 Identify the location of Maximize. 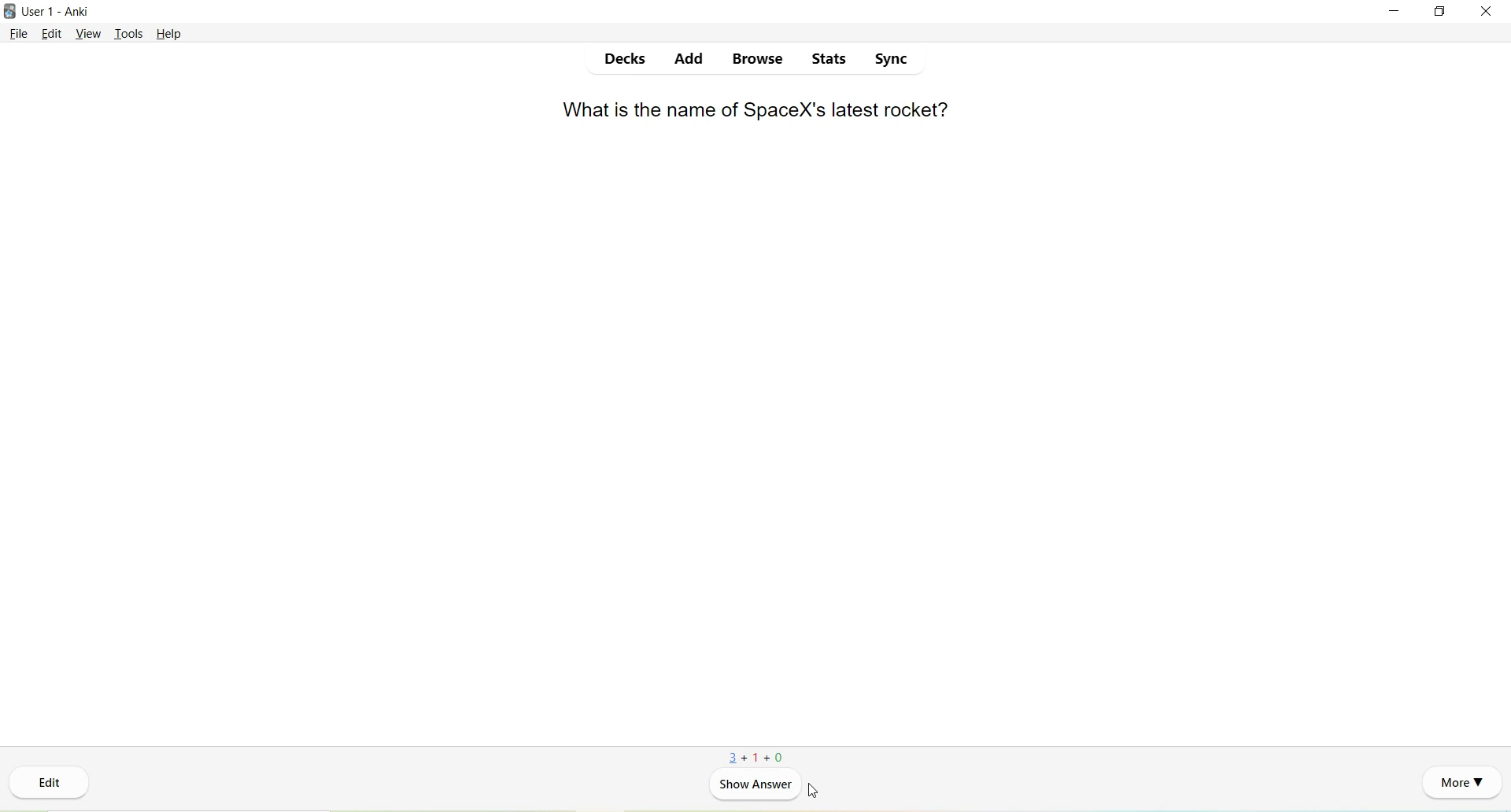
(1437, 13).